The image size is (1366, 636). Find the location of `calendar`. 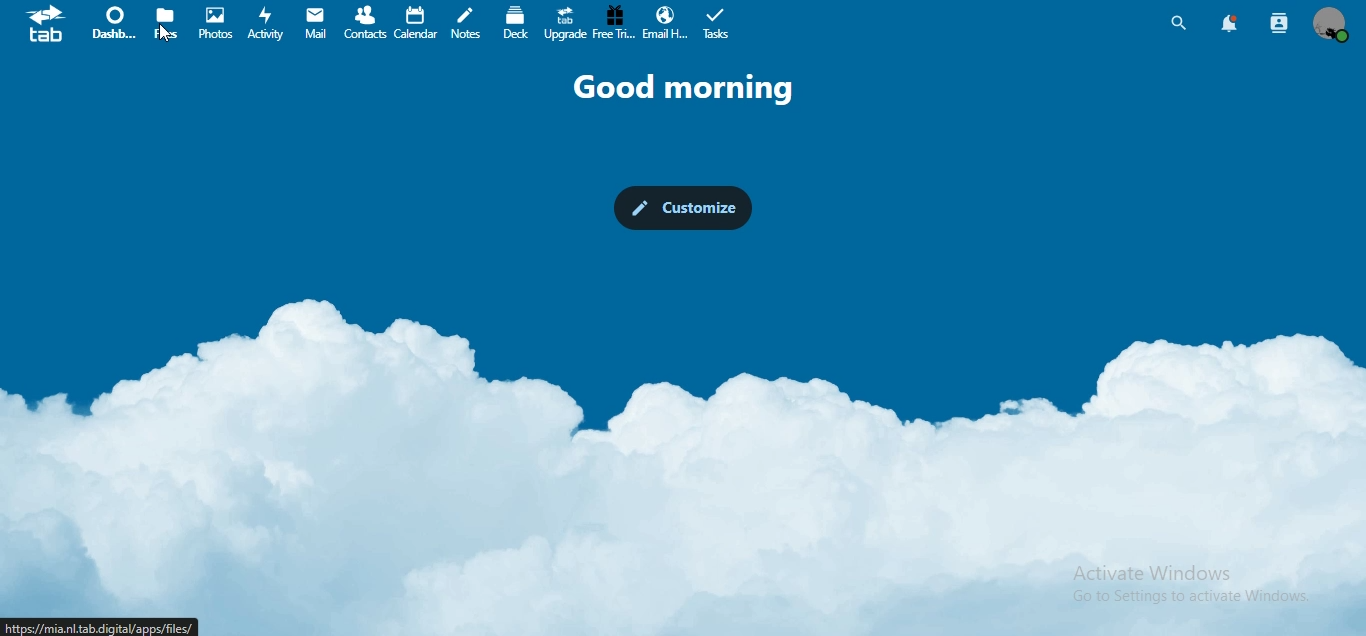

calendar is located at coordinates (413, 21).